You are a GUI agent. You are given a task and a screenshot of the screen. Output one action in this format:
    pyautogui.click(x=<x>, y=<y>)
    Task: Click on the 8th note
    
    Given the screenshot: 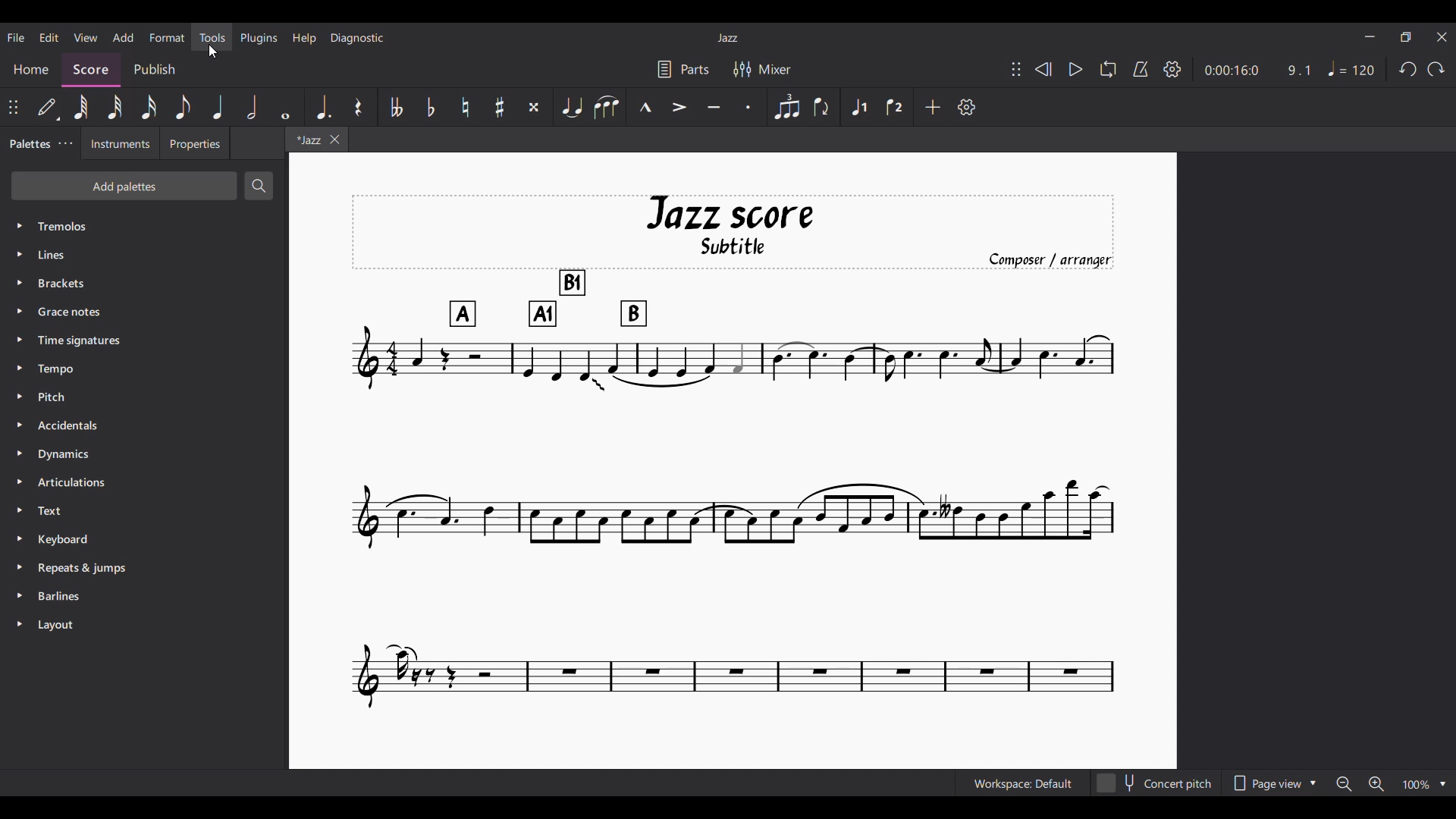 What is the action you would take?
    pyautogui.click(x=183, y=108)
    